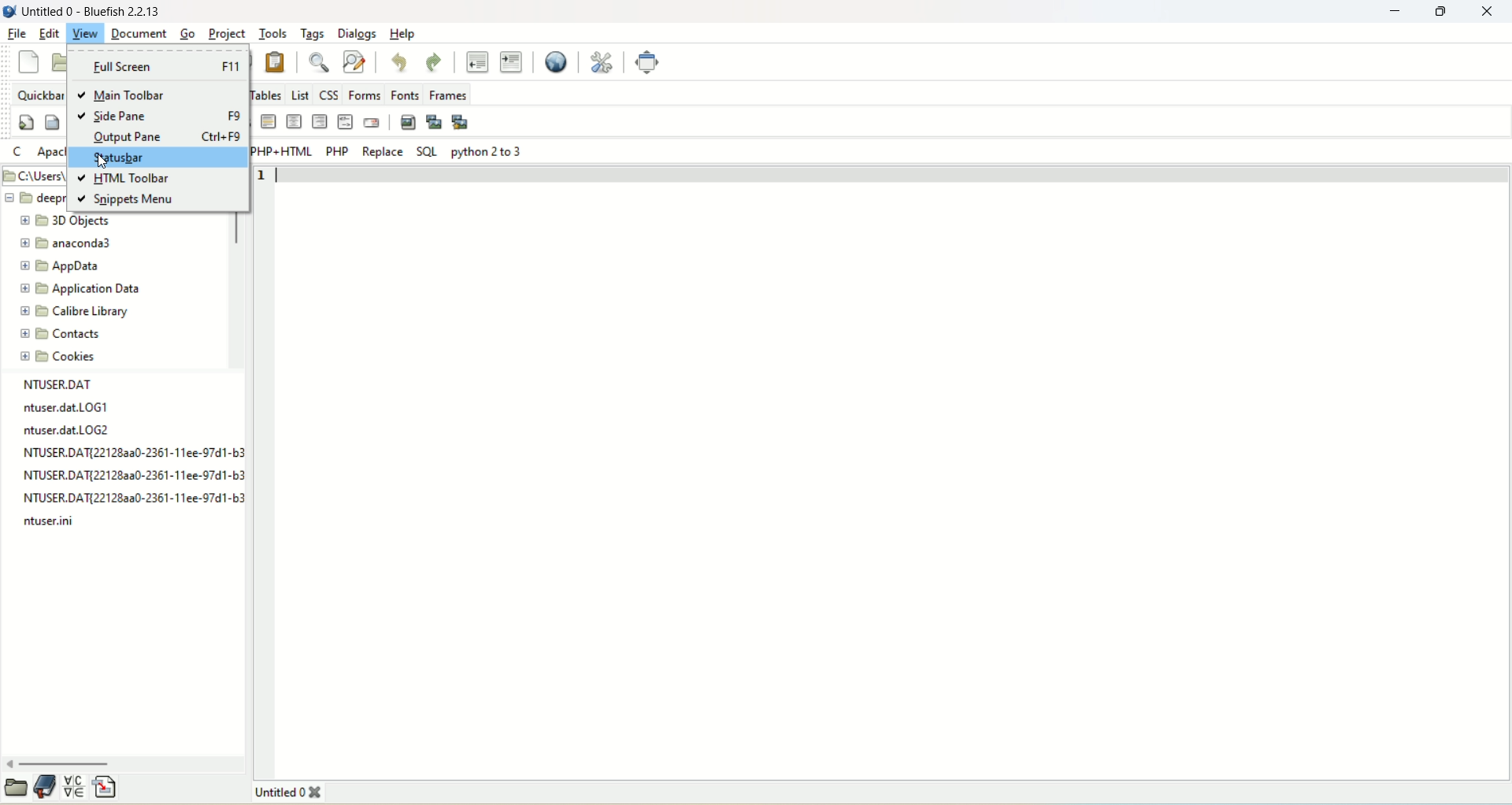  What do you see at coordinates (127, 180) in the screenshot?
I see `HTML toolbar` at bounding box center [127, 180].